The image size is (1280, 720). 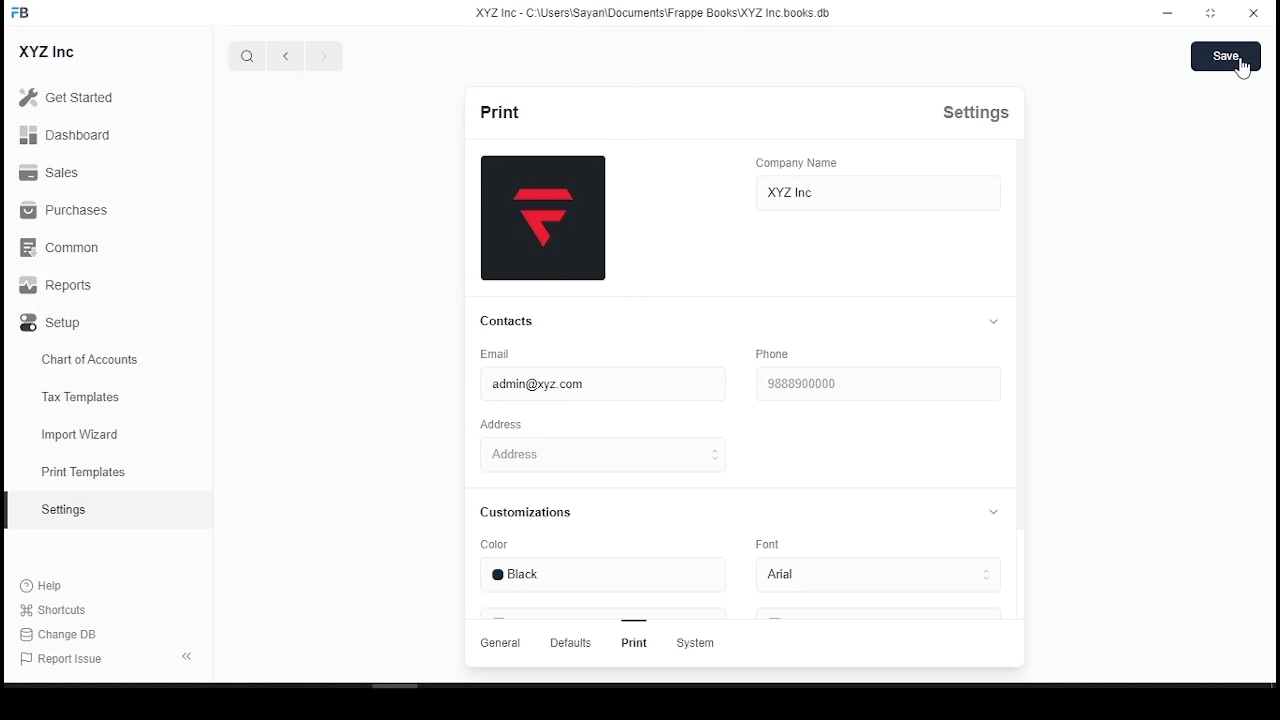 I want to click on minimize, so click(x=1168, y=13).